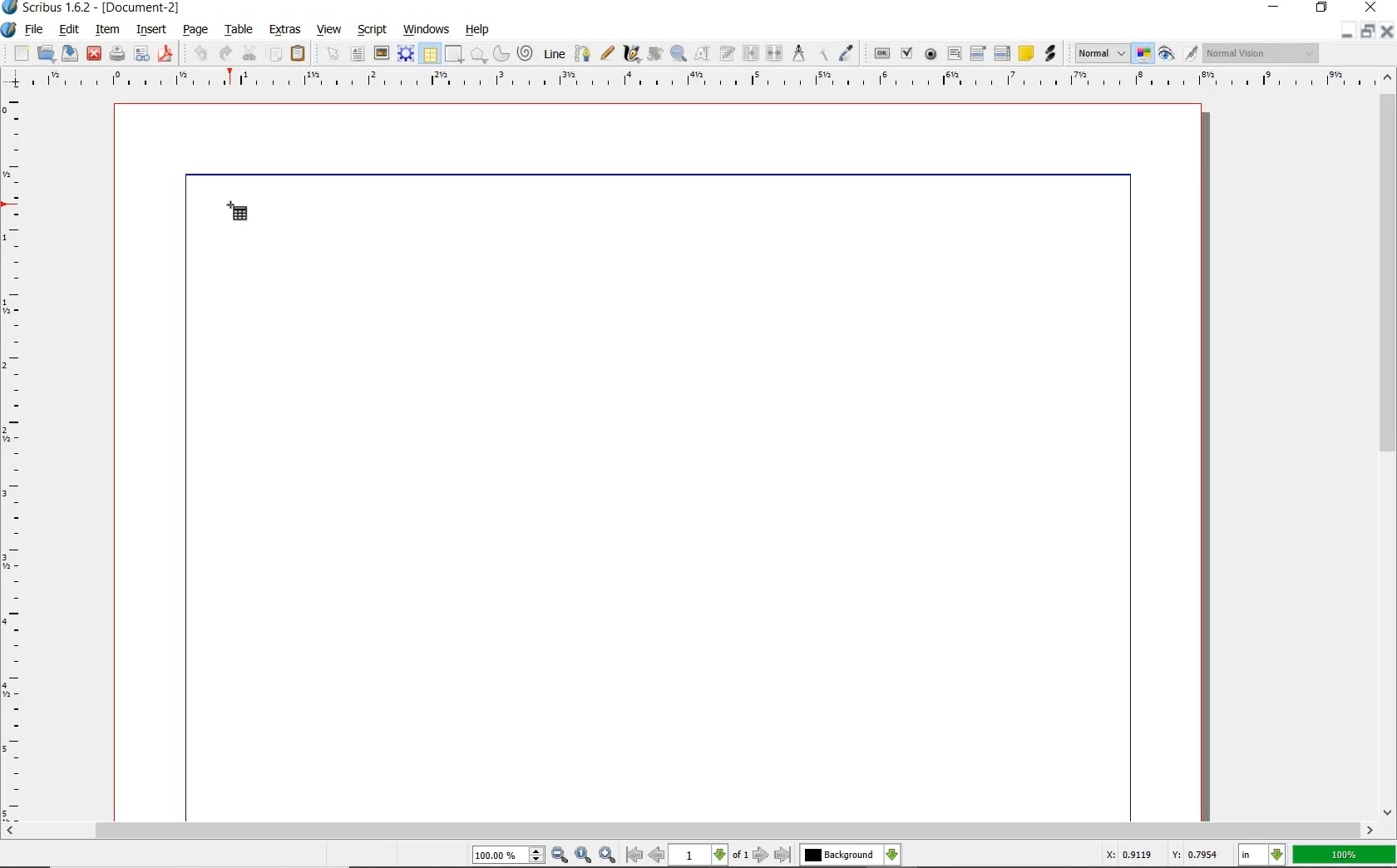 This screenshot has width=1397, height=868. What do you see at coordinates (608, 54) in the screenshot?
I see `freehand line` at bounding box center [608, 54].